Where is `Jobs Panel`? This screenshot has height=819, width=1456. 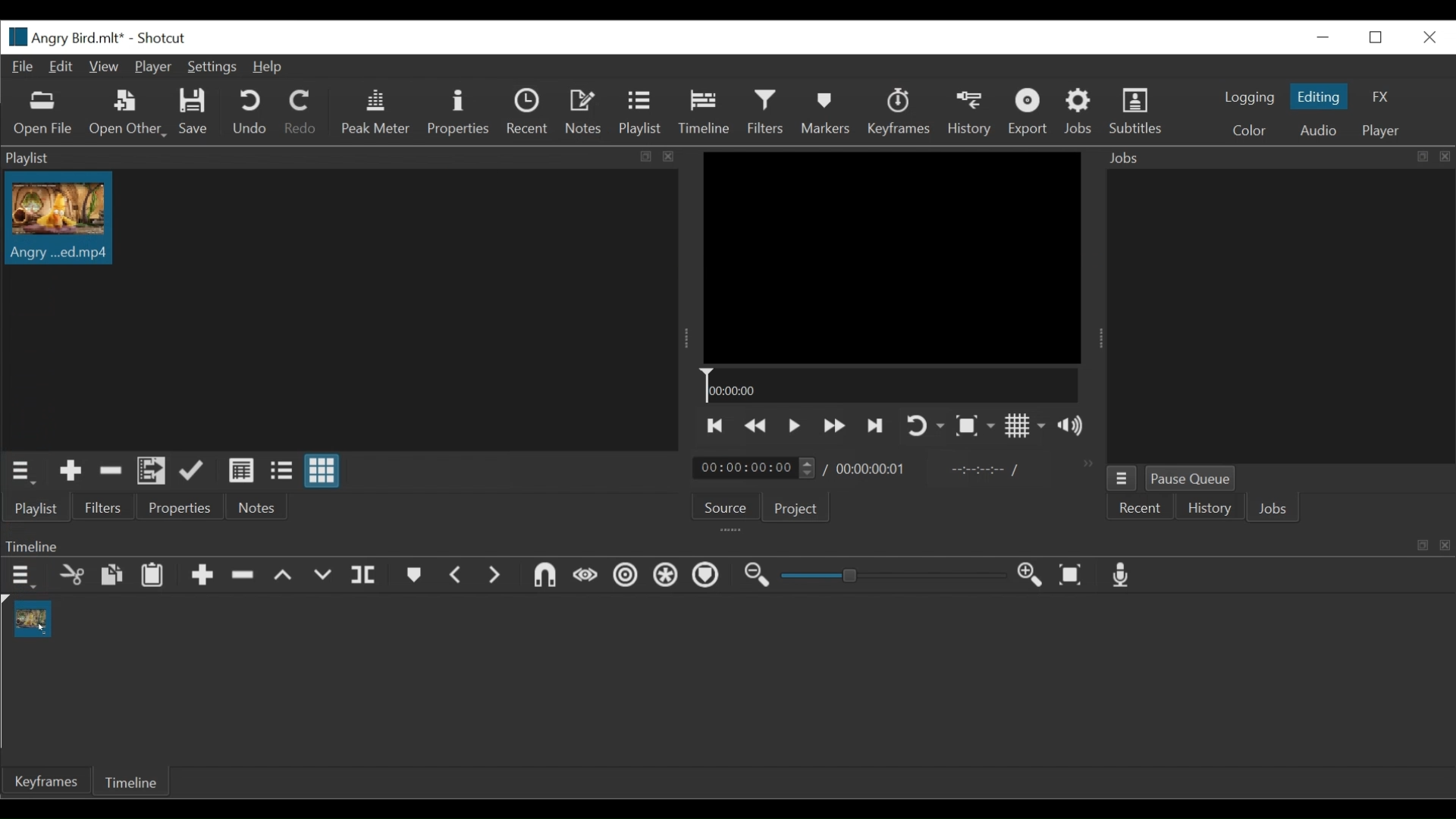
Jobs Panel is located at coordinates (1278, 158).